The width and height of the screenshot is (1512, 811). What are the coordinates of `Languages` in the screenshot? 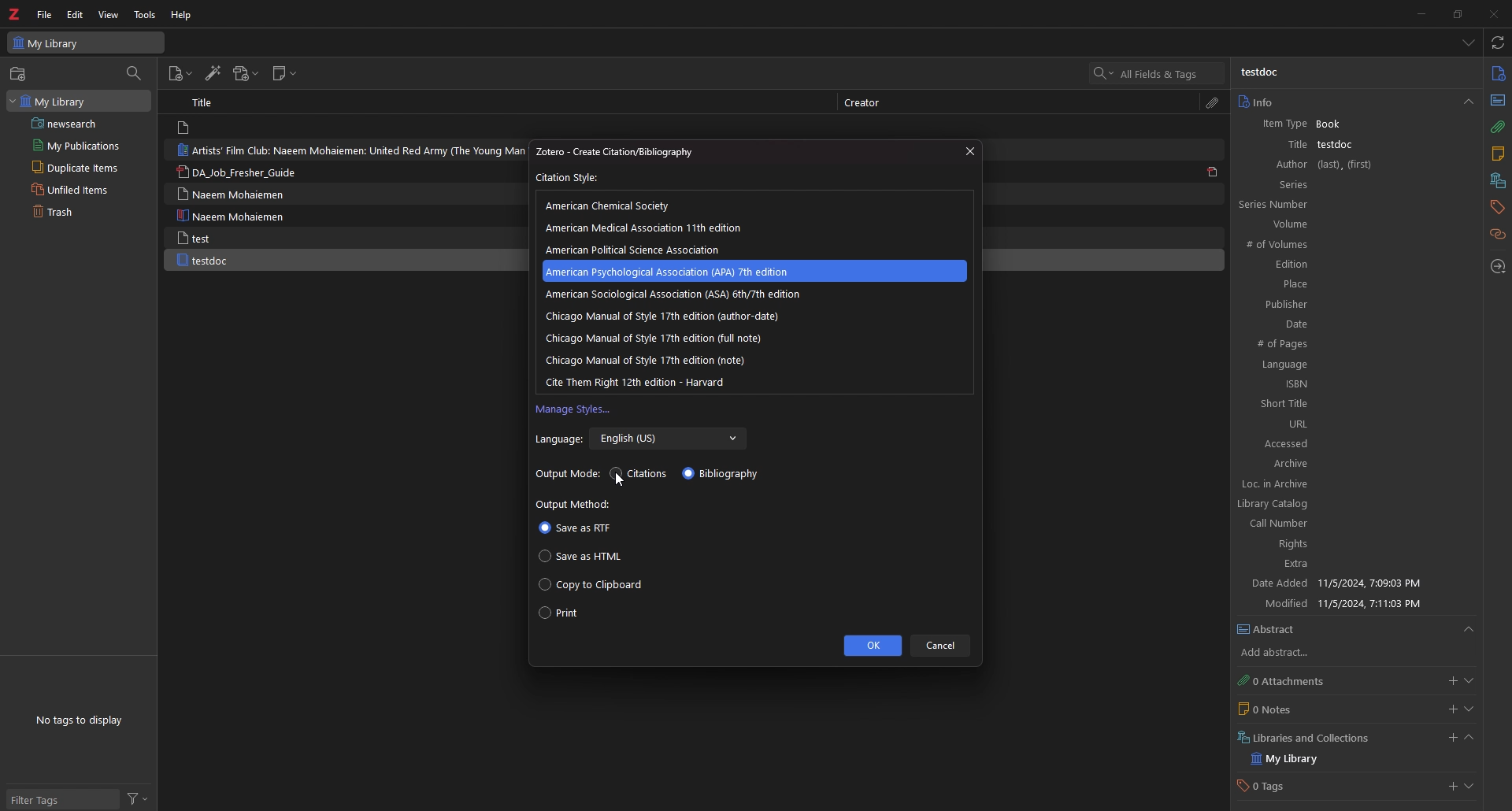 It's located at (1349, 365).